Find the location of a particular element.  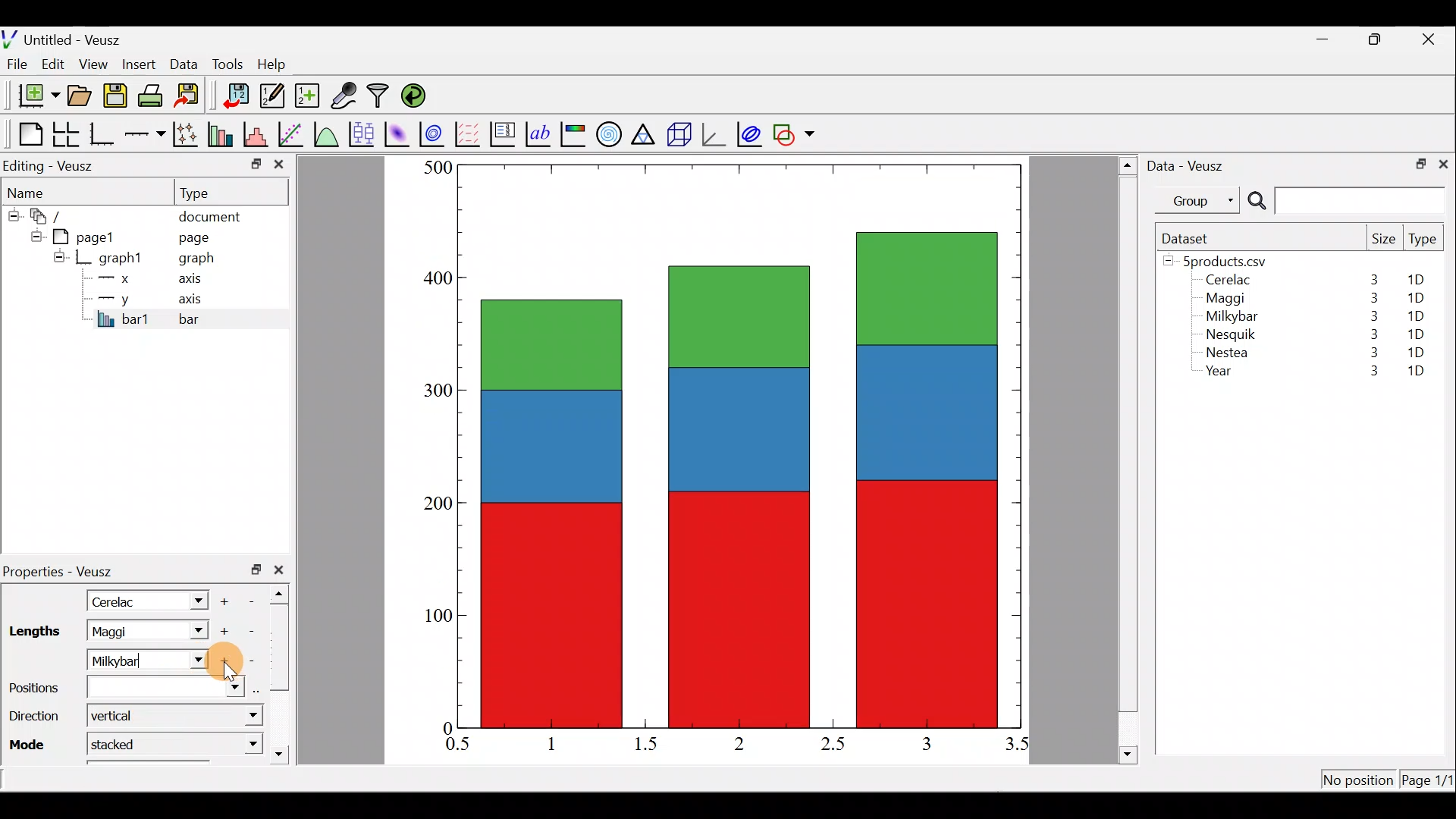

Milkybar is located at coordinates (133, 659).